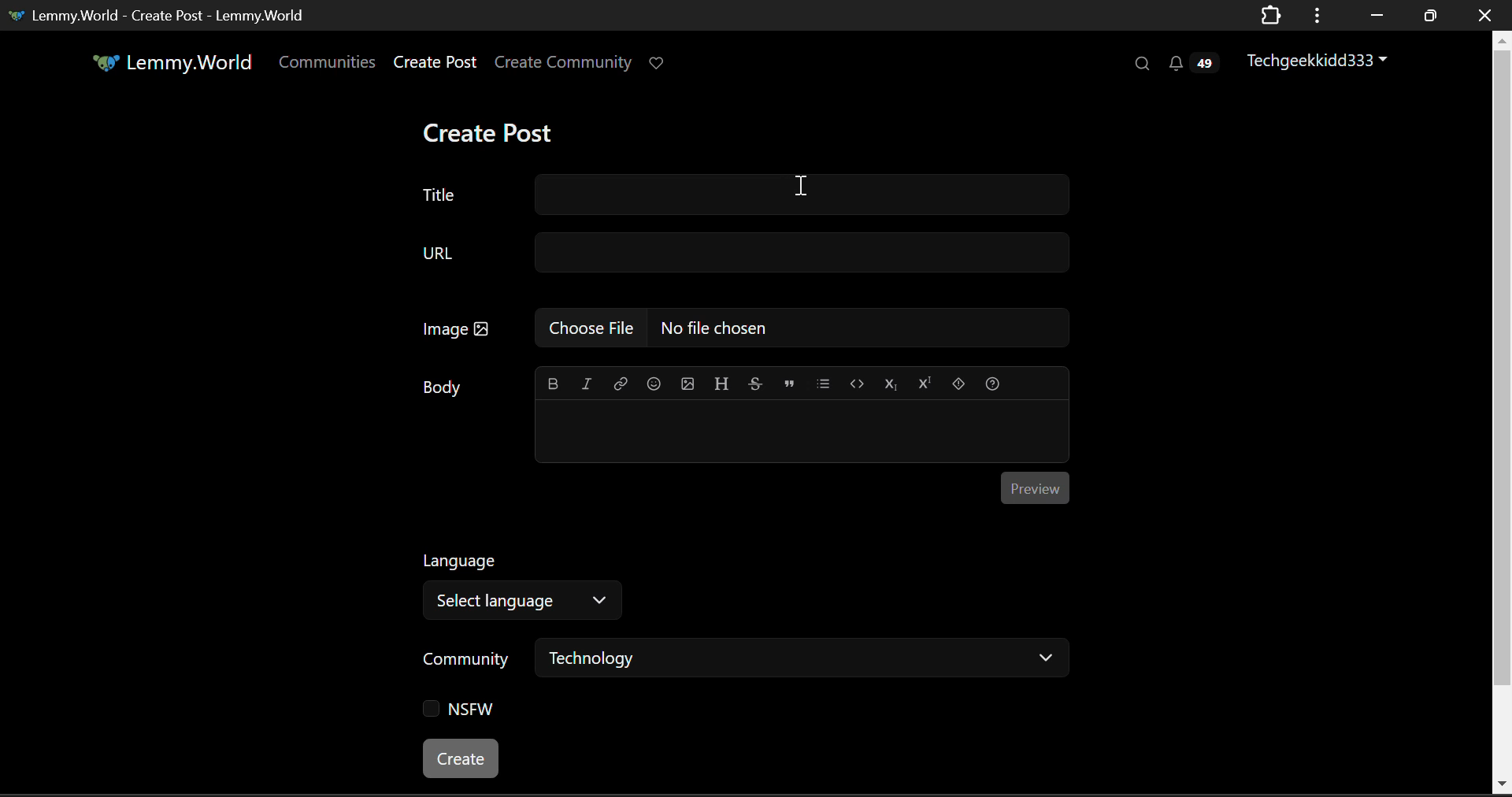  What do you see at coordinates (1319, 16) in the screenshot?
I see `Window Options` at bounding box center [1319, 16].